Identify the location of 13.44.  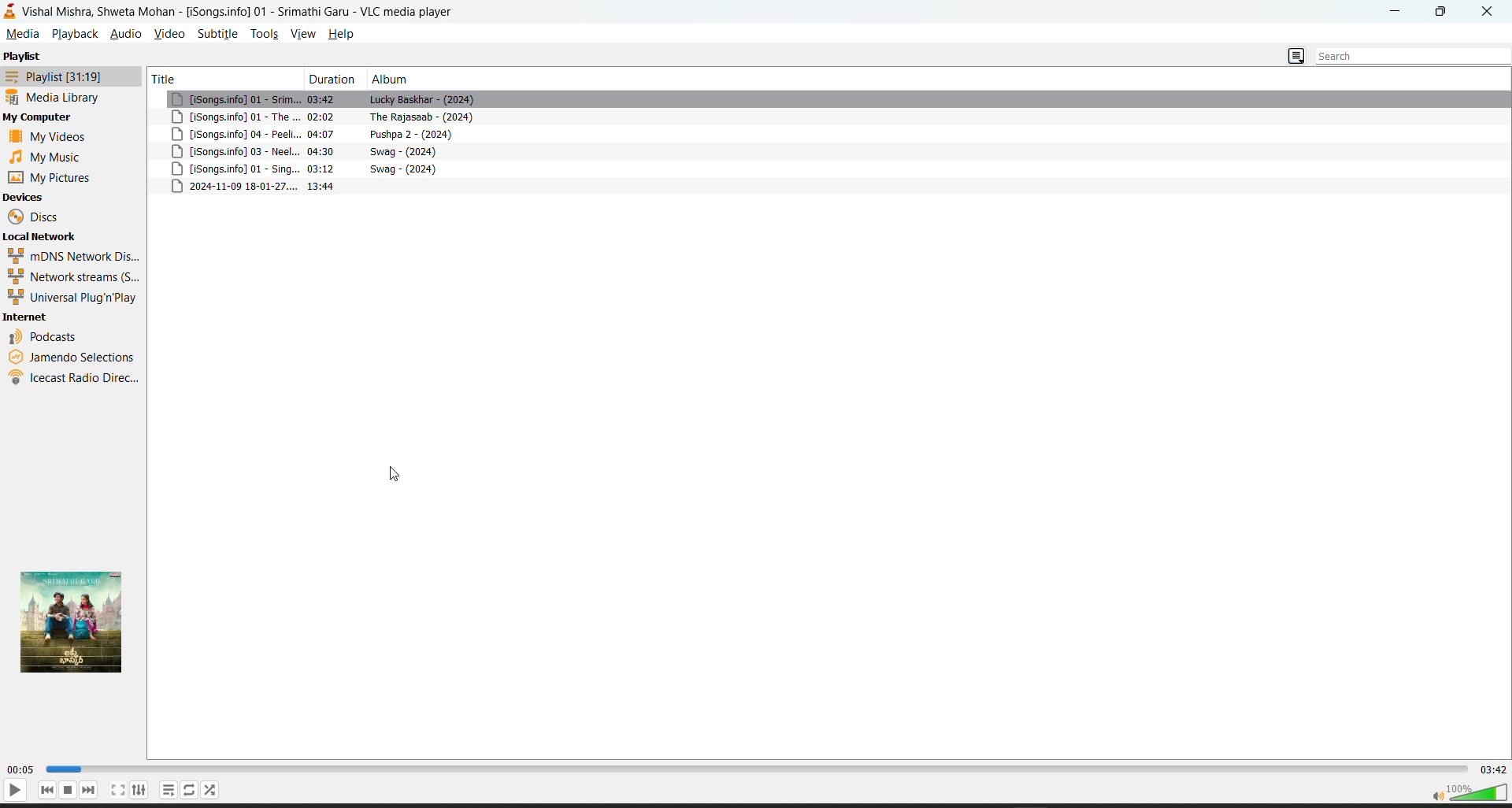
(323, 187).